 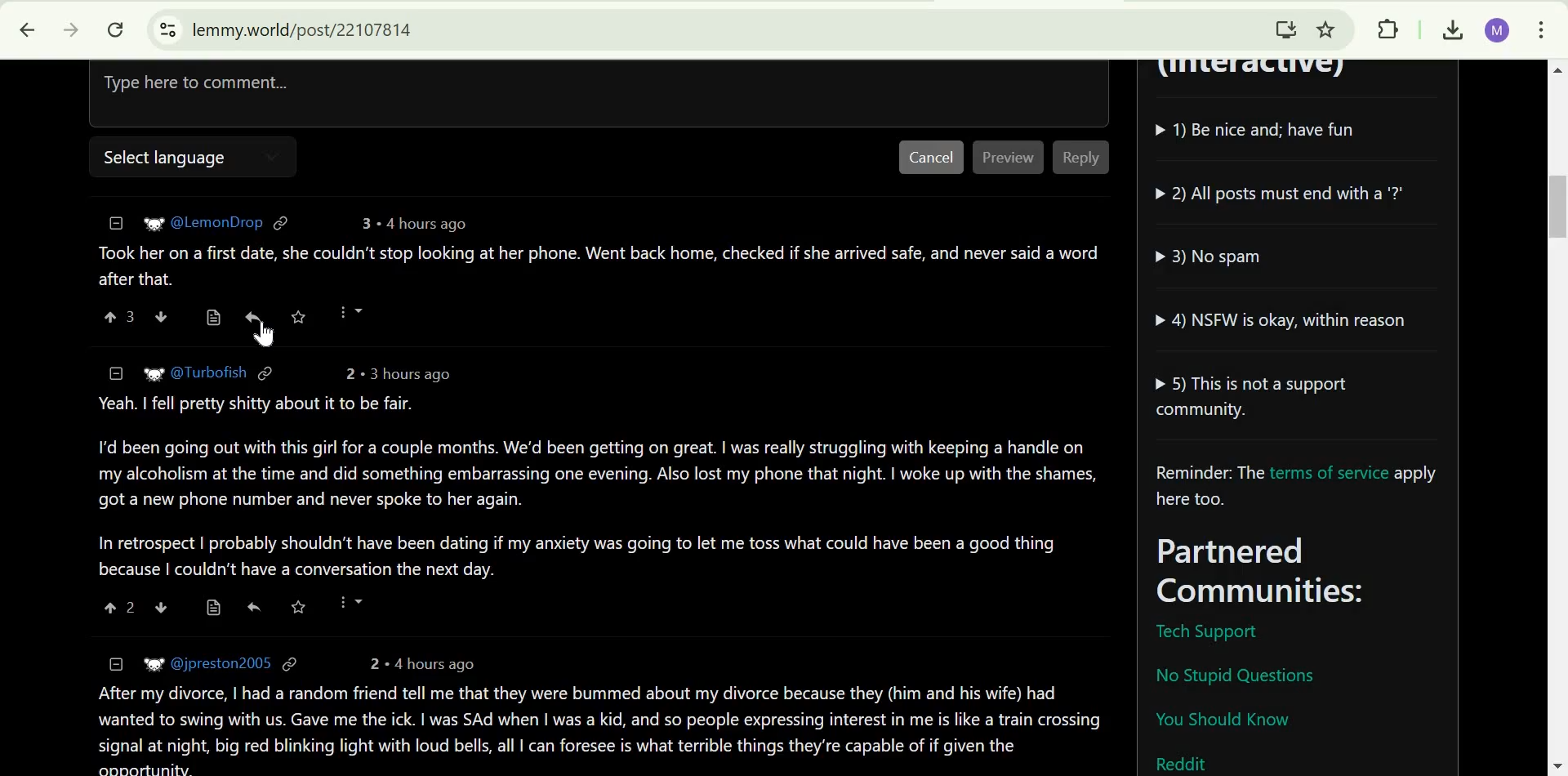 I want to click on user ID, so click(x=221, y=662).